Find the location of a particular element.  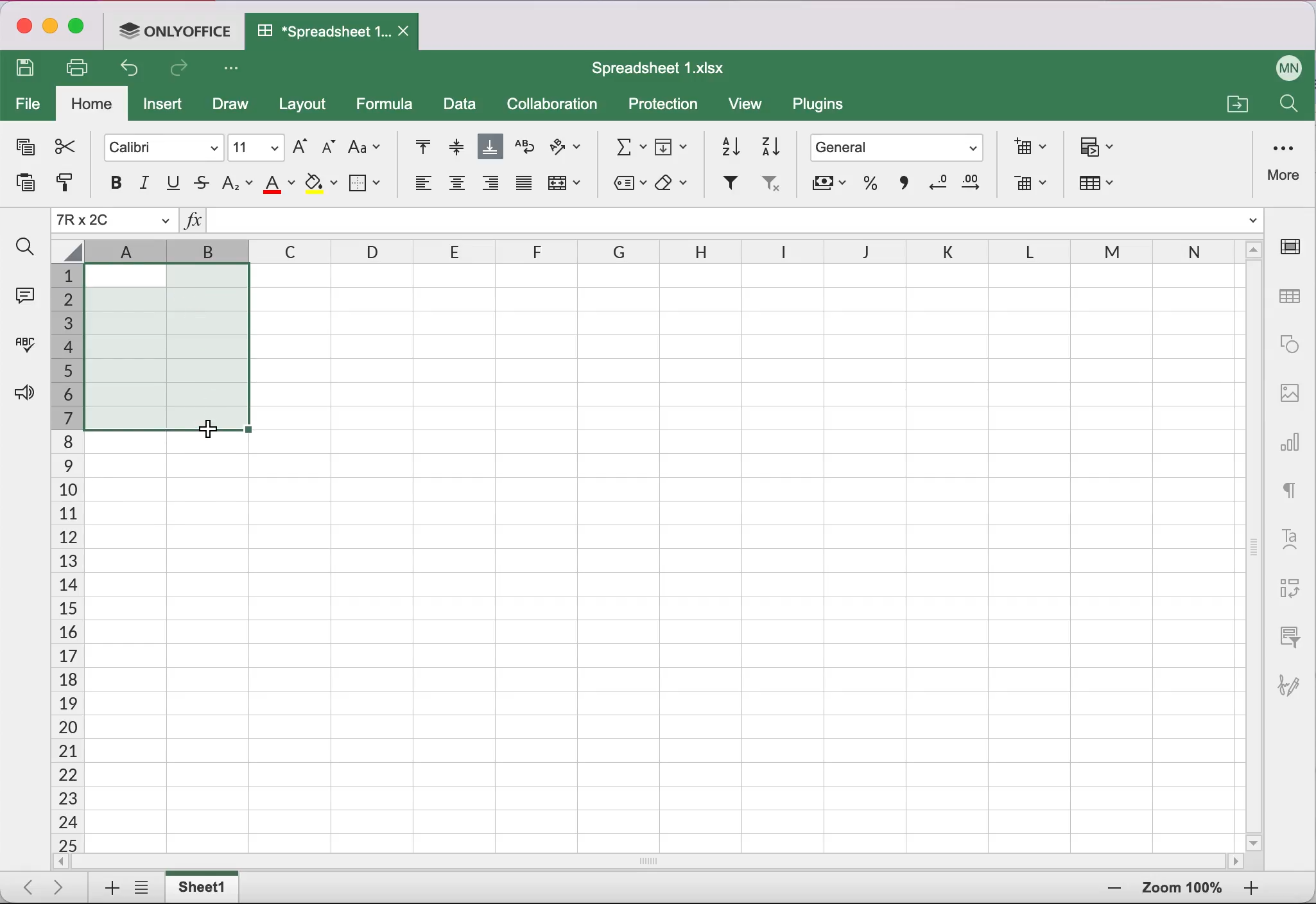

vertical slider is located at coordinates (1254, 540).